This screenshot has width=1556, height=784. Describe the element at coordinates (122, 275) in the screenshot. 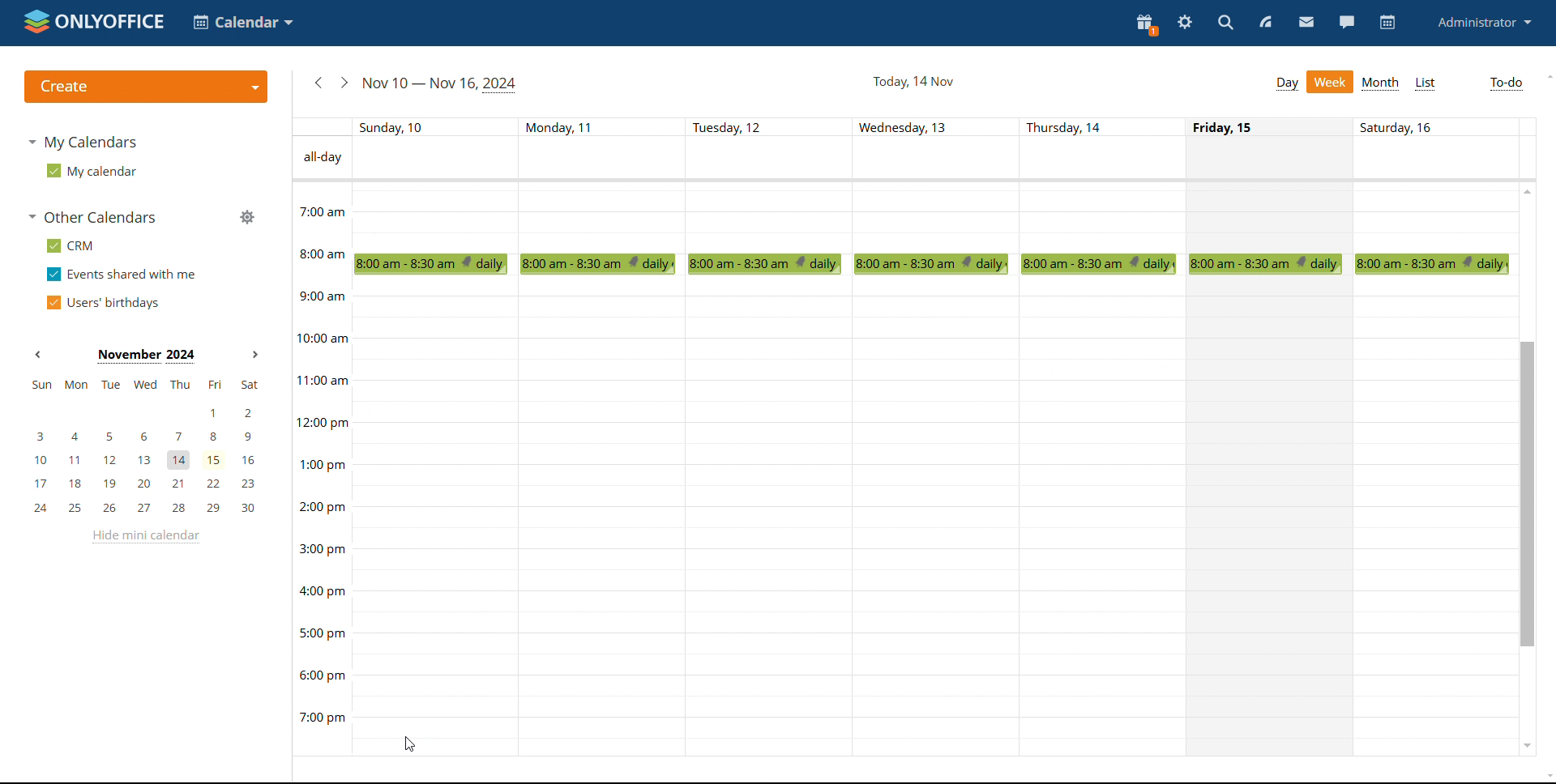

I see `events shared with me` at that location.